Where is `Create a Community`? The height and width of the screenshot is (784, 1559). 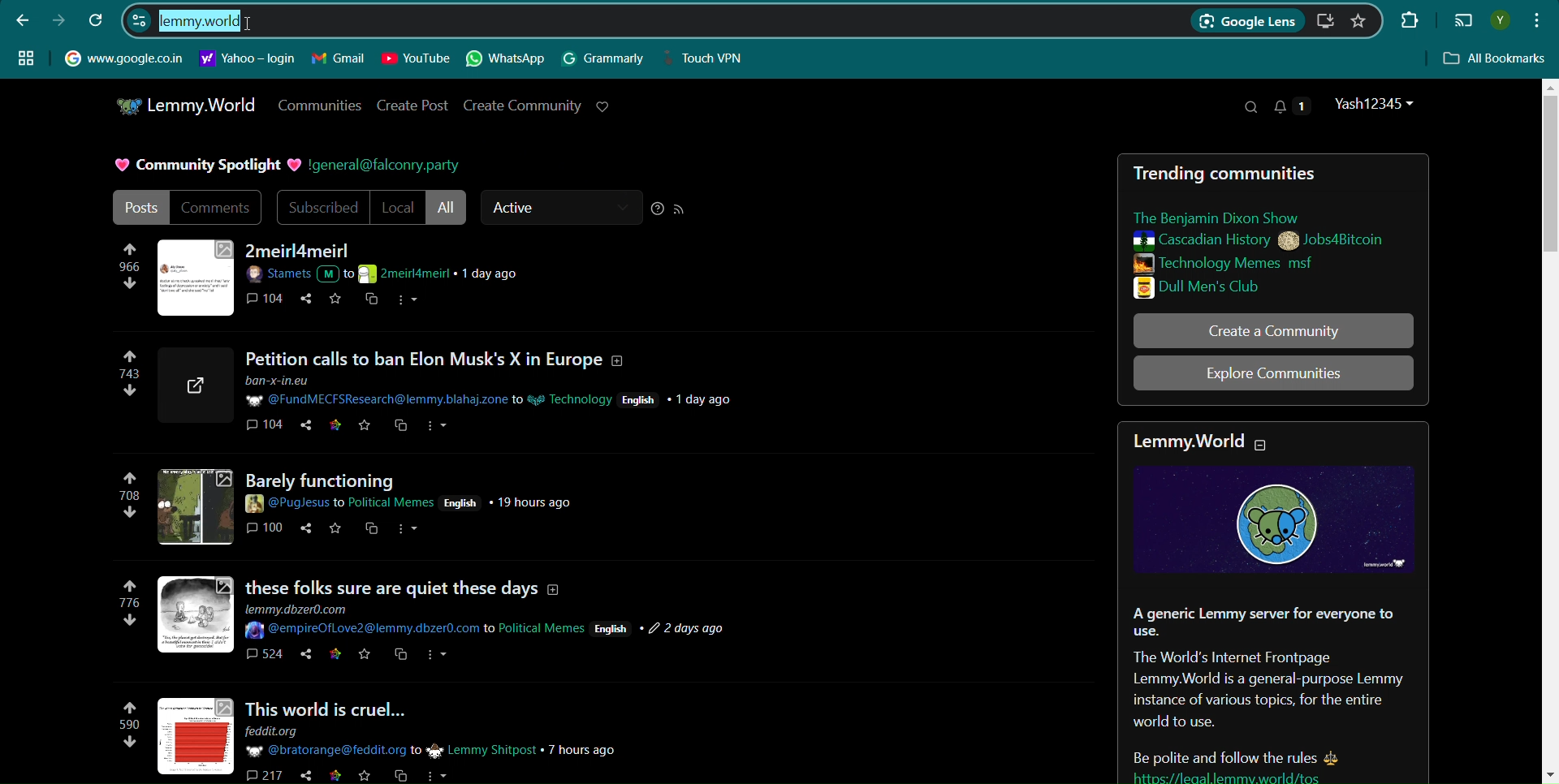
Create a Community is located at coordinates (1273, 330).